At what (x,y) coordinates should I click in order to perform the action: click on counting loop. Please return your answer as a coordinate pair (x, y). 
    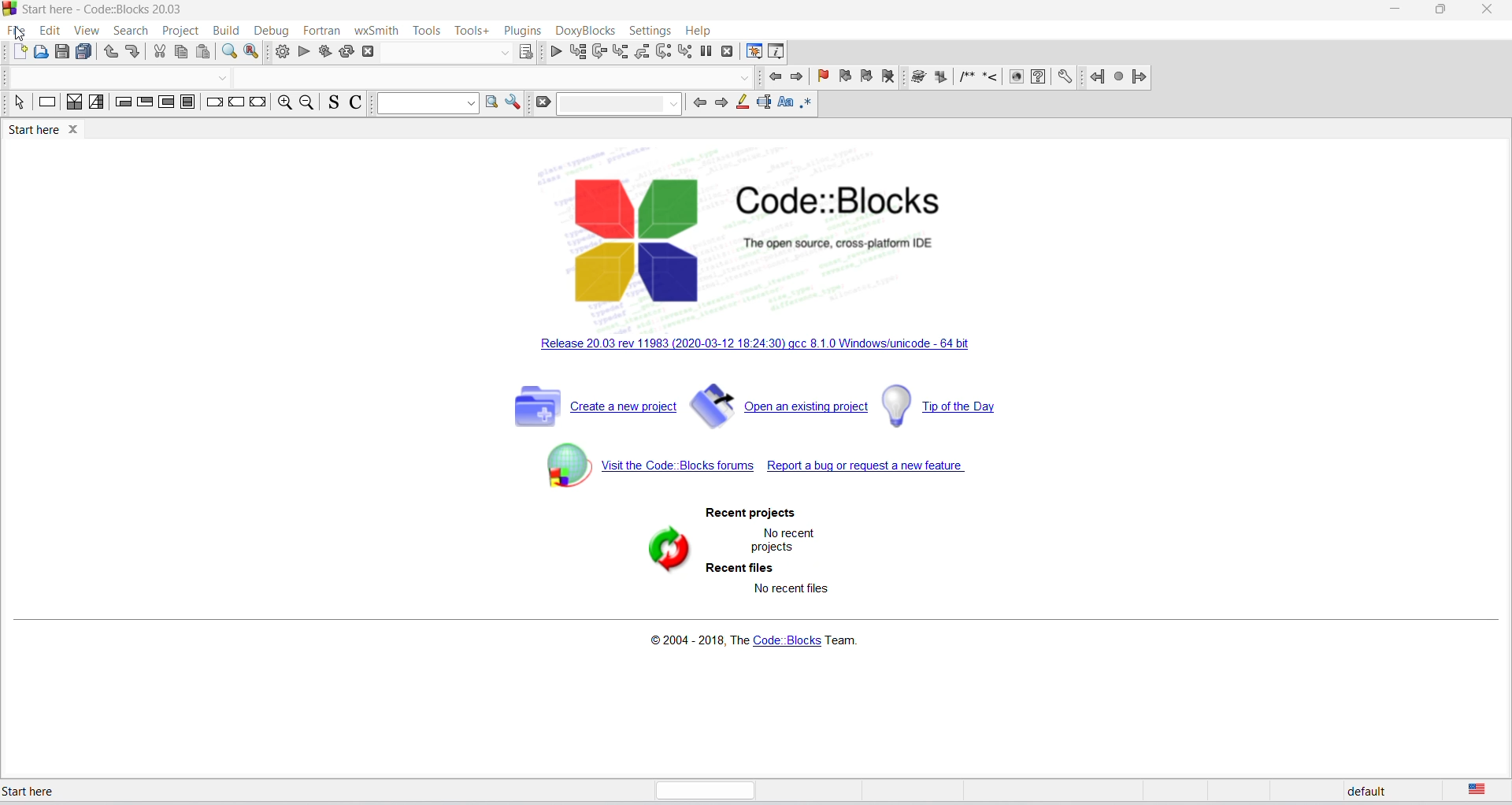
    Looking at the image, I should click on (168, 106).